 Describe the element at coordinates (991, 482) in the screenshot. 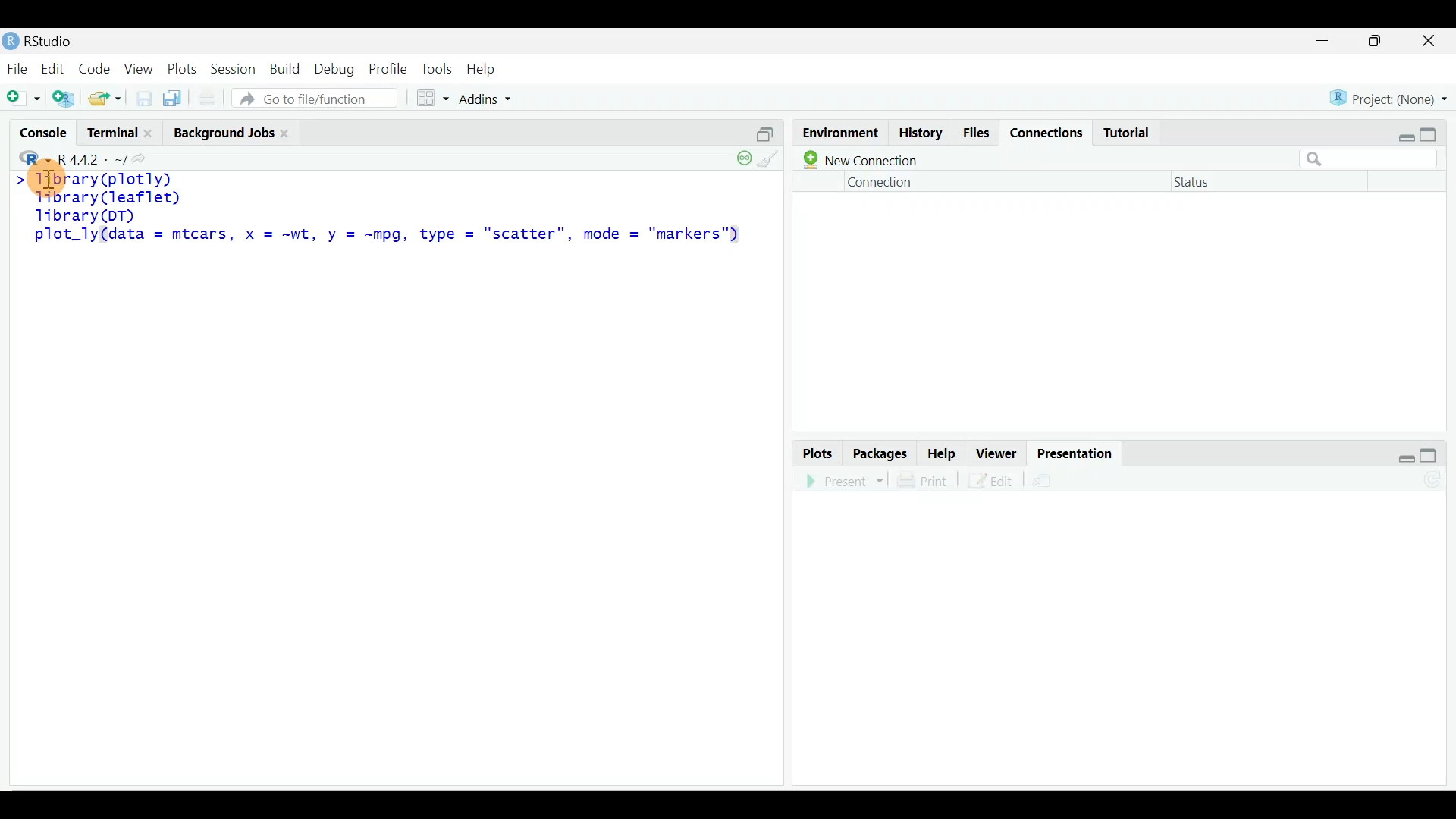

I see `Edit` at that location.